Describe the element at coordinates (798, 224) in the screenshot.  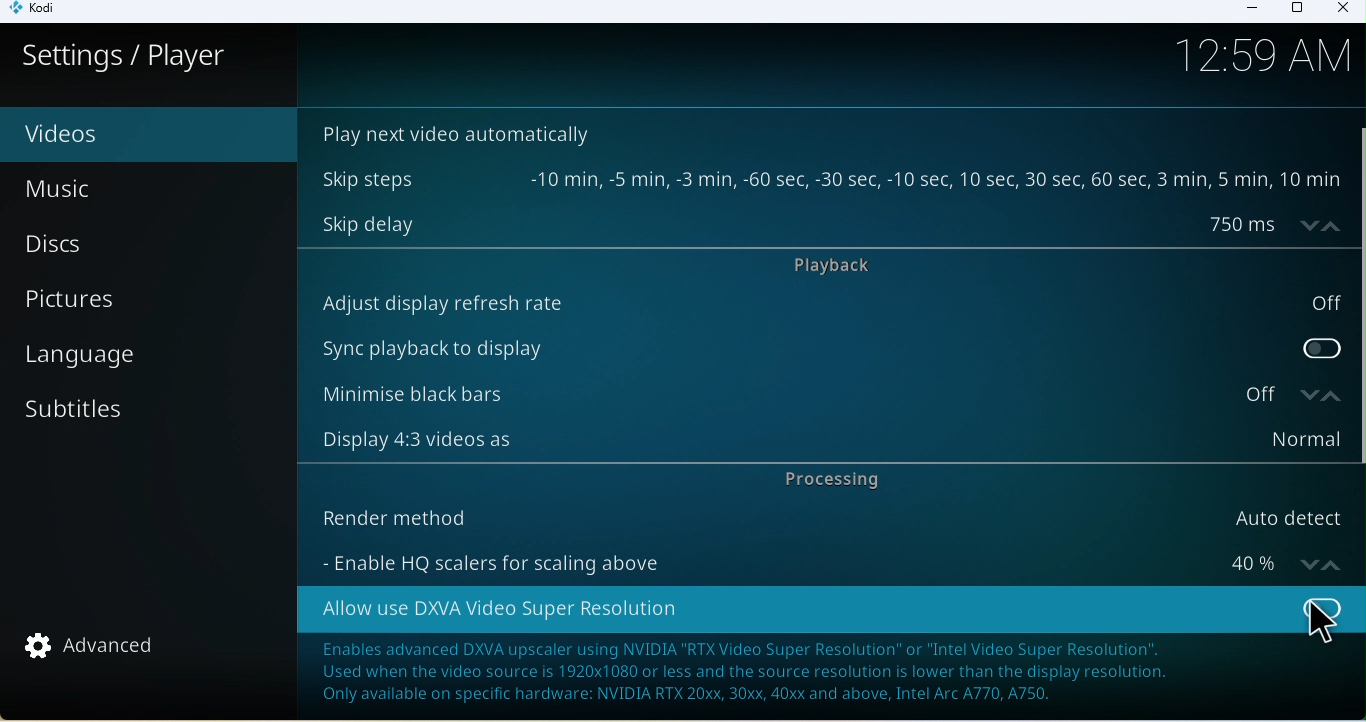
I see `Skip delay` at that location.